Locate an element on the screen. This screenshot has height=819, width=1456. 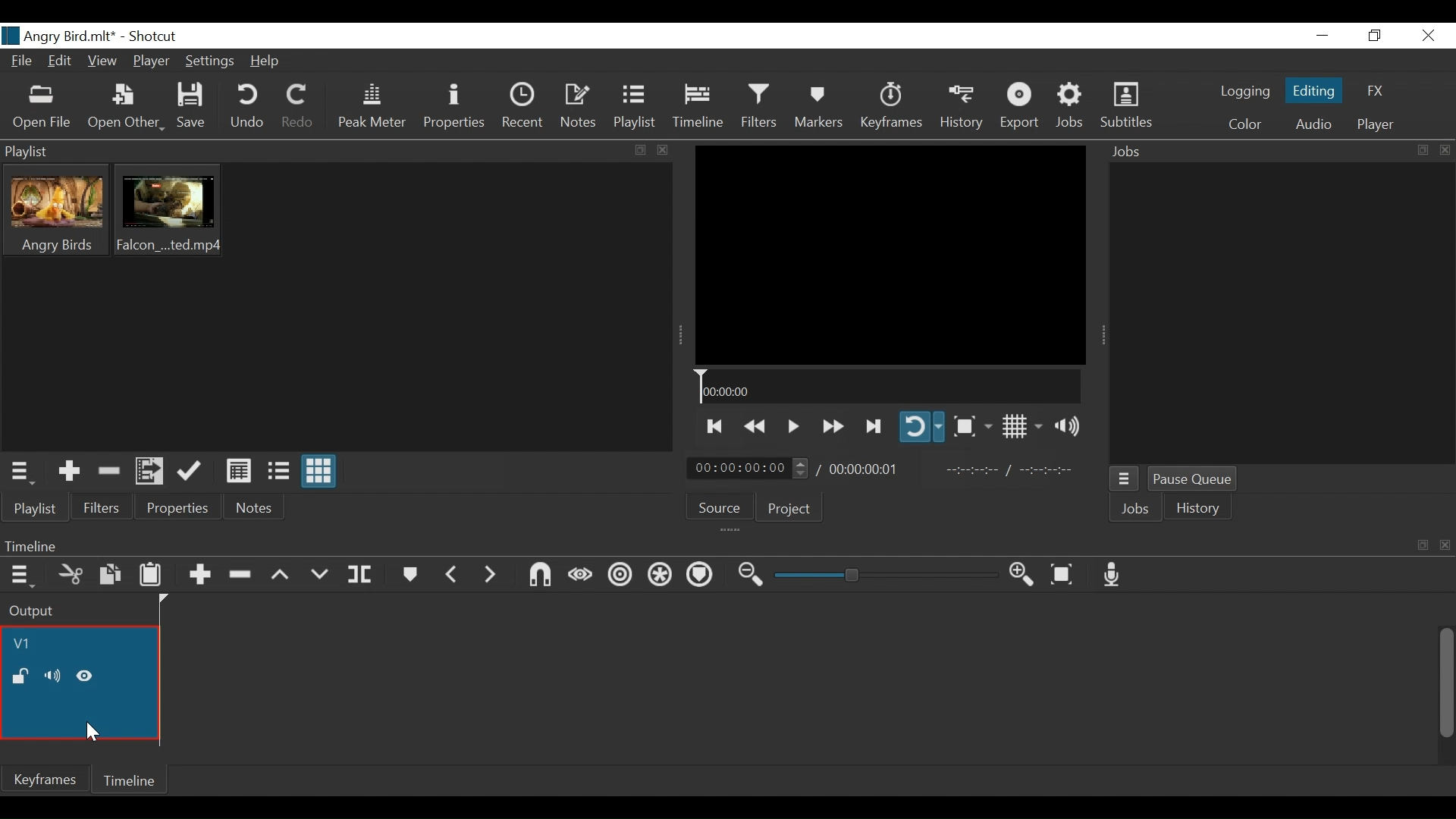
Jobs Panel is located at coordinates (1281, 315).